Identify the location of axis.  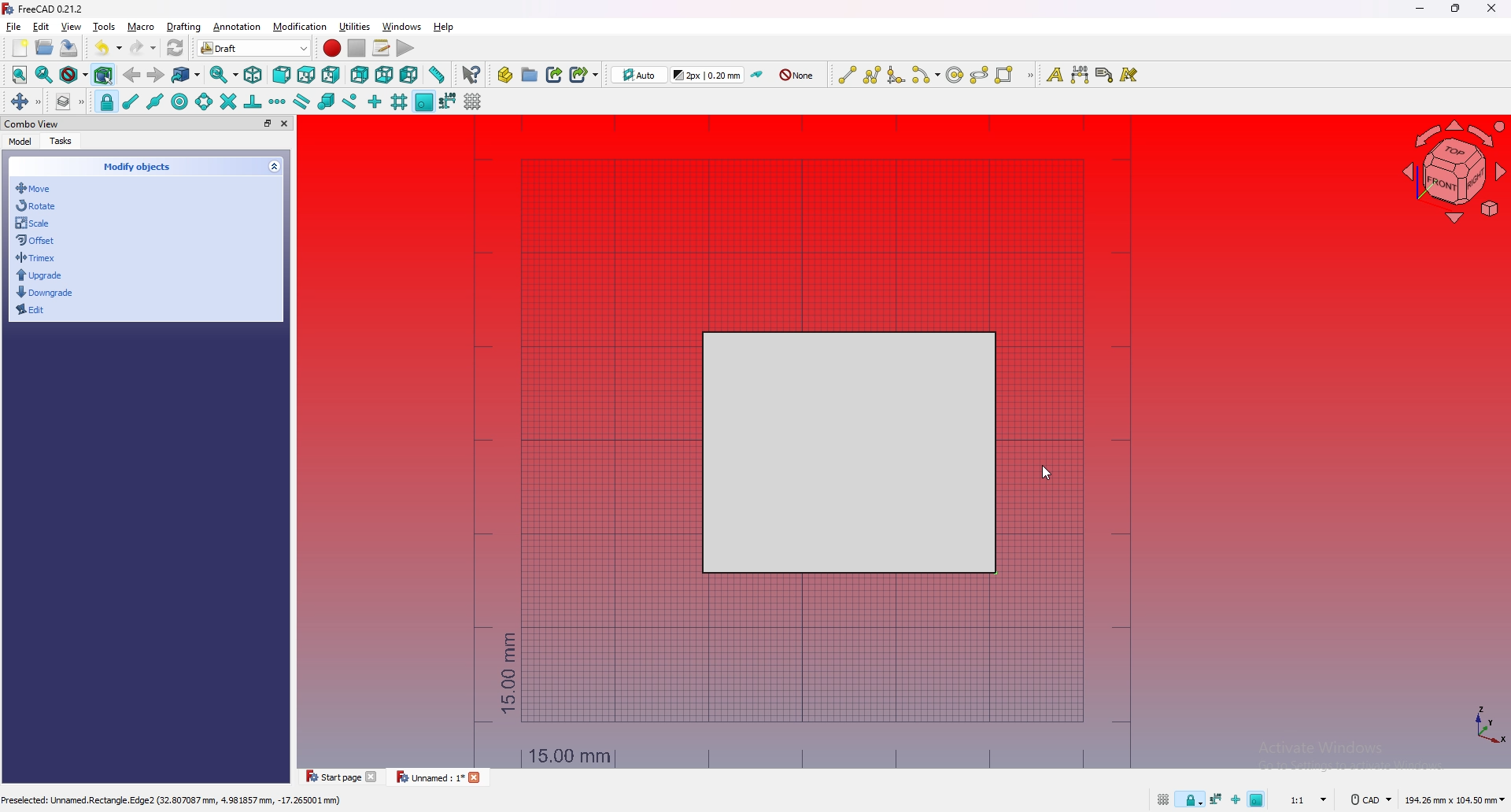
(1486, 724).